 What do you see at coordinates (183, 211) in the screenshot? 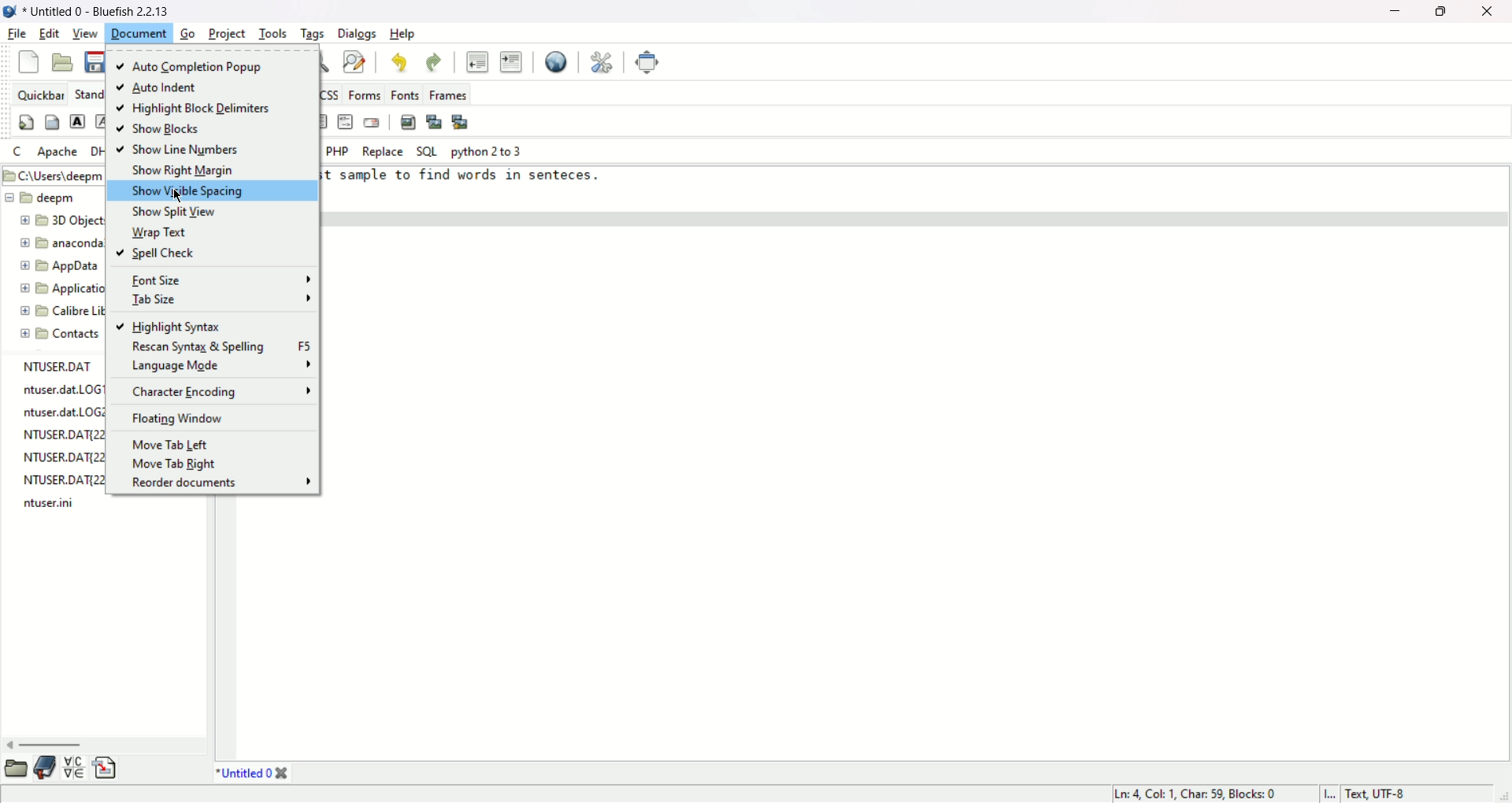
I see `show split view` at bounding box center [183, 211].